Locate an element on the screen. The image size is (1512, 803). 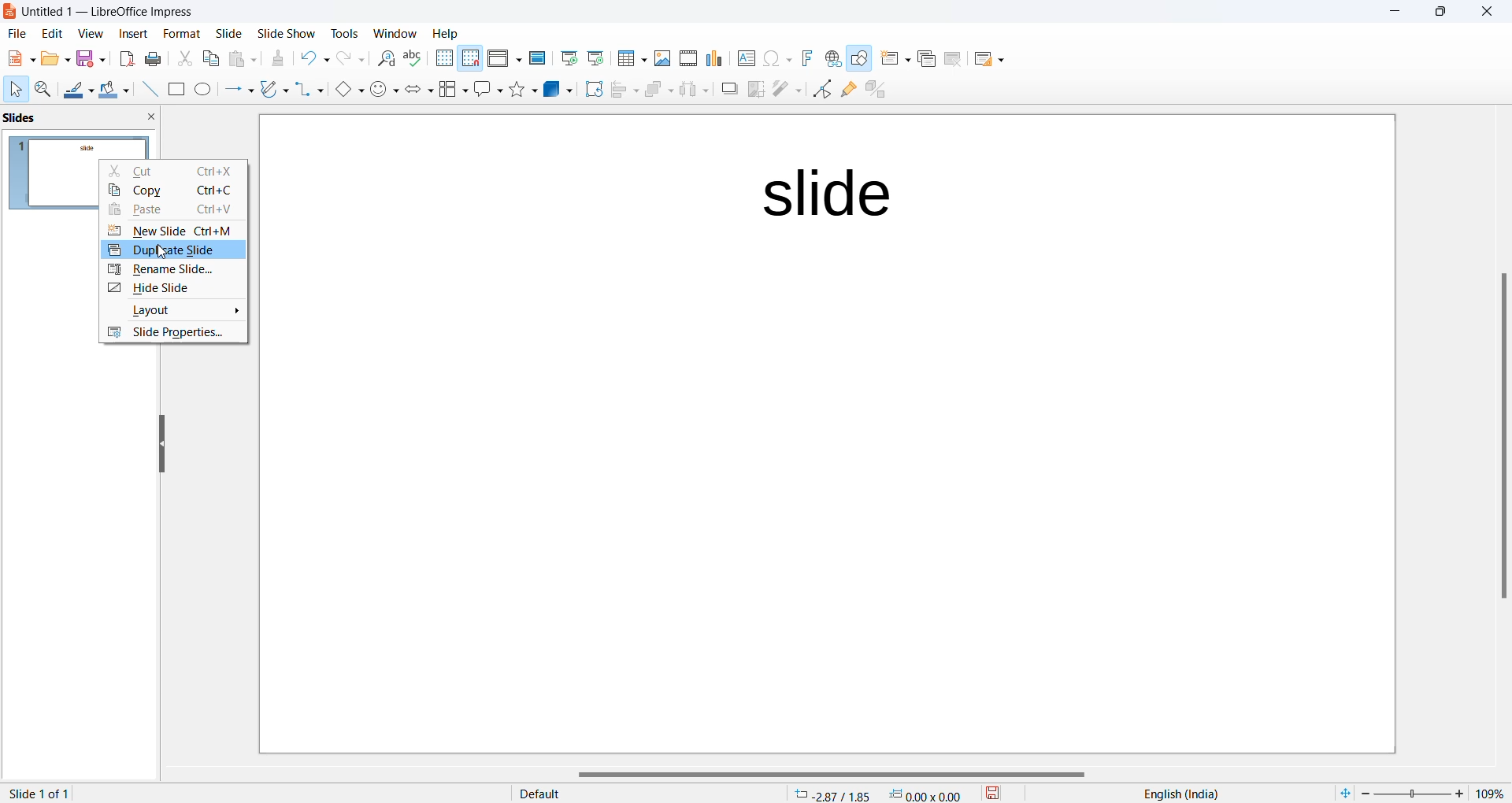
Help is located at coordinates (455, 33).